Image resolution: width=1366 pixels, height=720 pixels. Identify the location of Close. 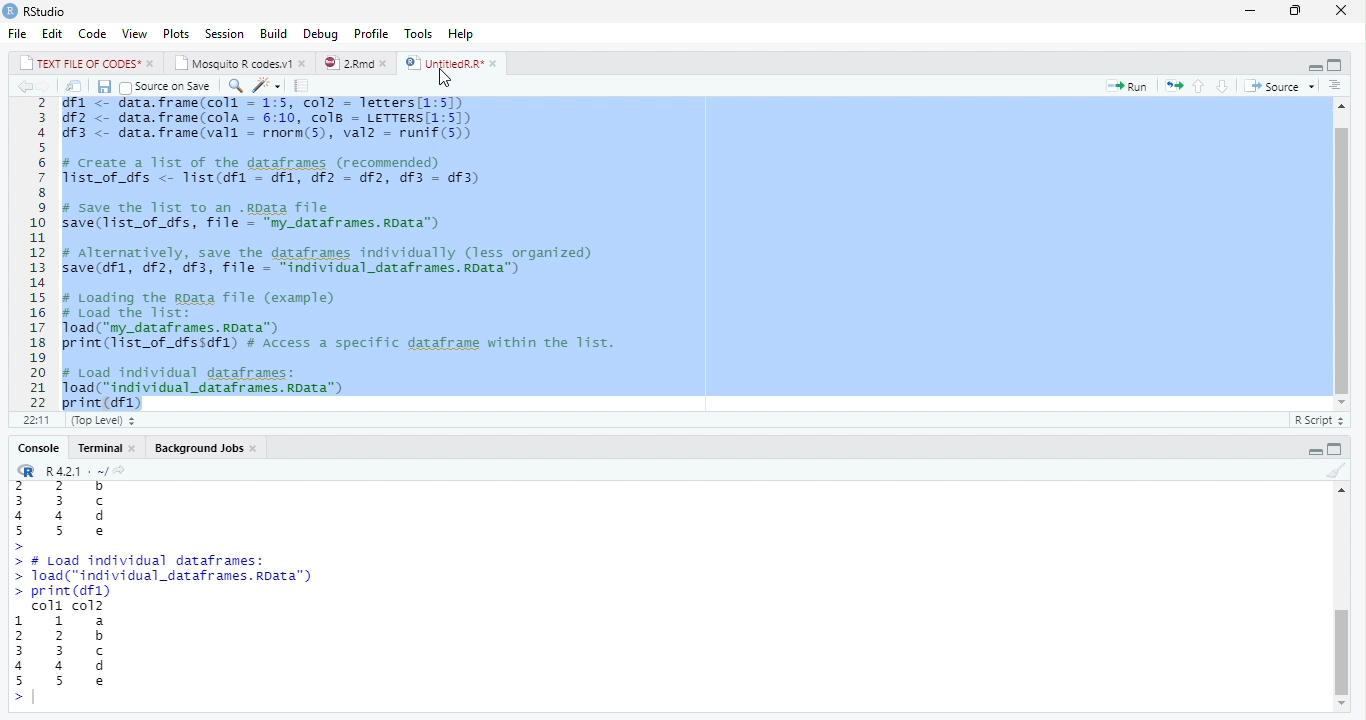
(1341, 11).